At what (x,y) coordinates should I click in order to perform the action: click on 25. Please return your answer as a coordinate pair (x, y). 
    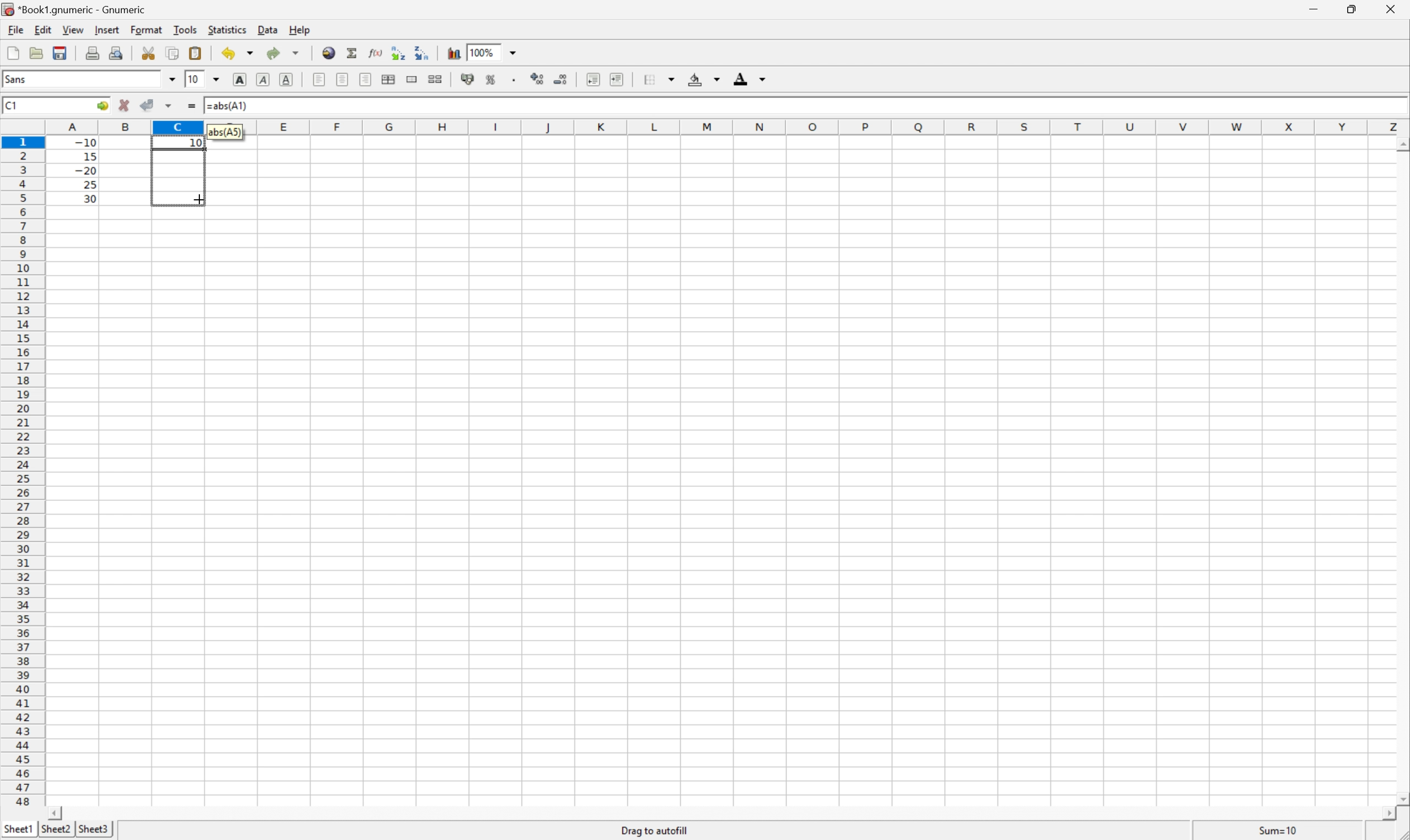
    Looking at the image, I should click on (89, 185).